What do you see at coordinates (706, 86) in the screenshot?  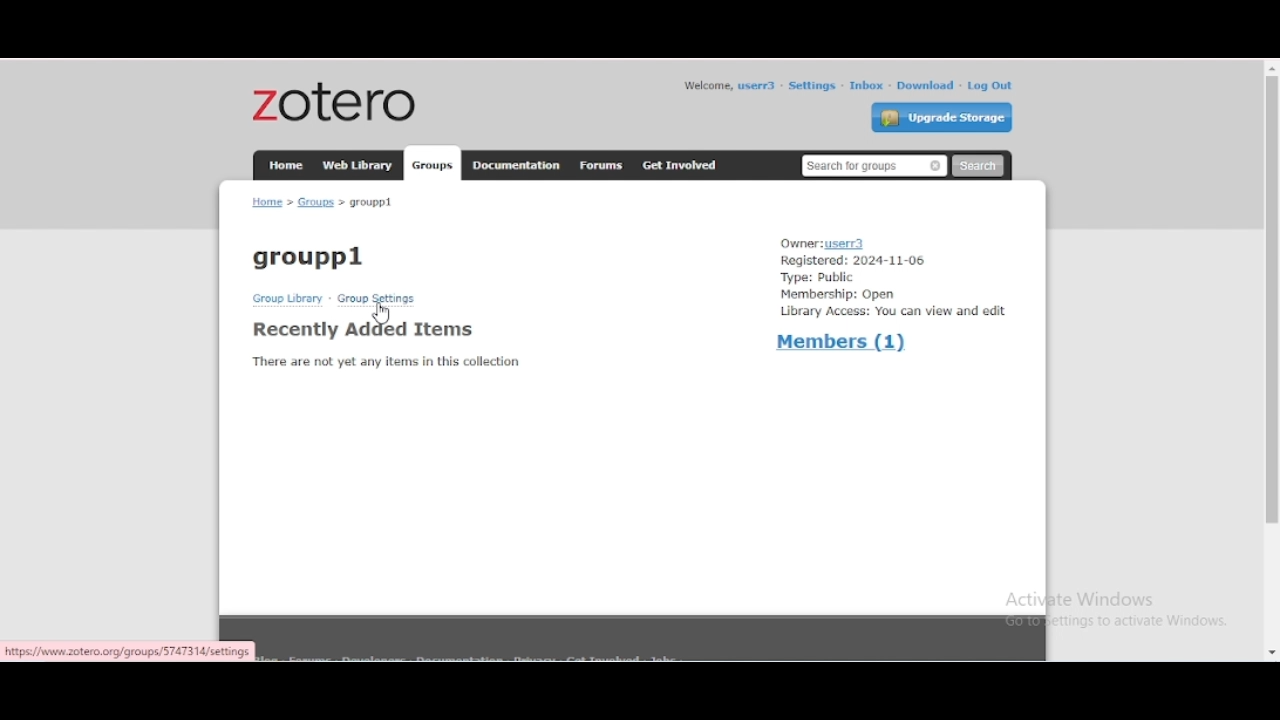 I see `welcome` at bounding box center [706, 86].